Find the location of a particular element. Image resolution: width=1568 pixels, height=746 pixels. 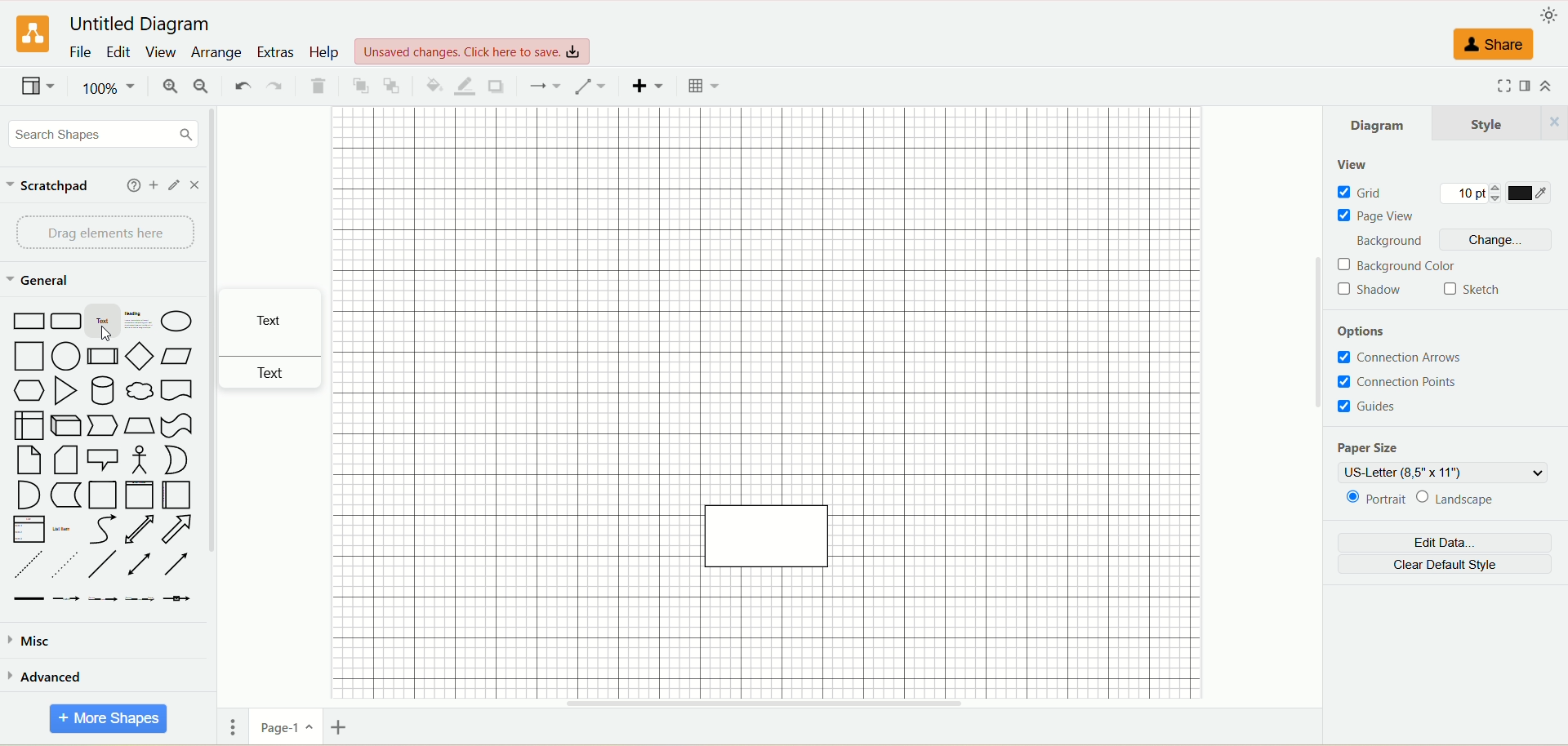

shadow is located at coordinates (501, 87).